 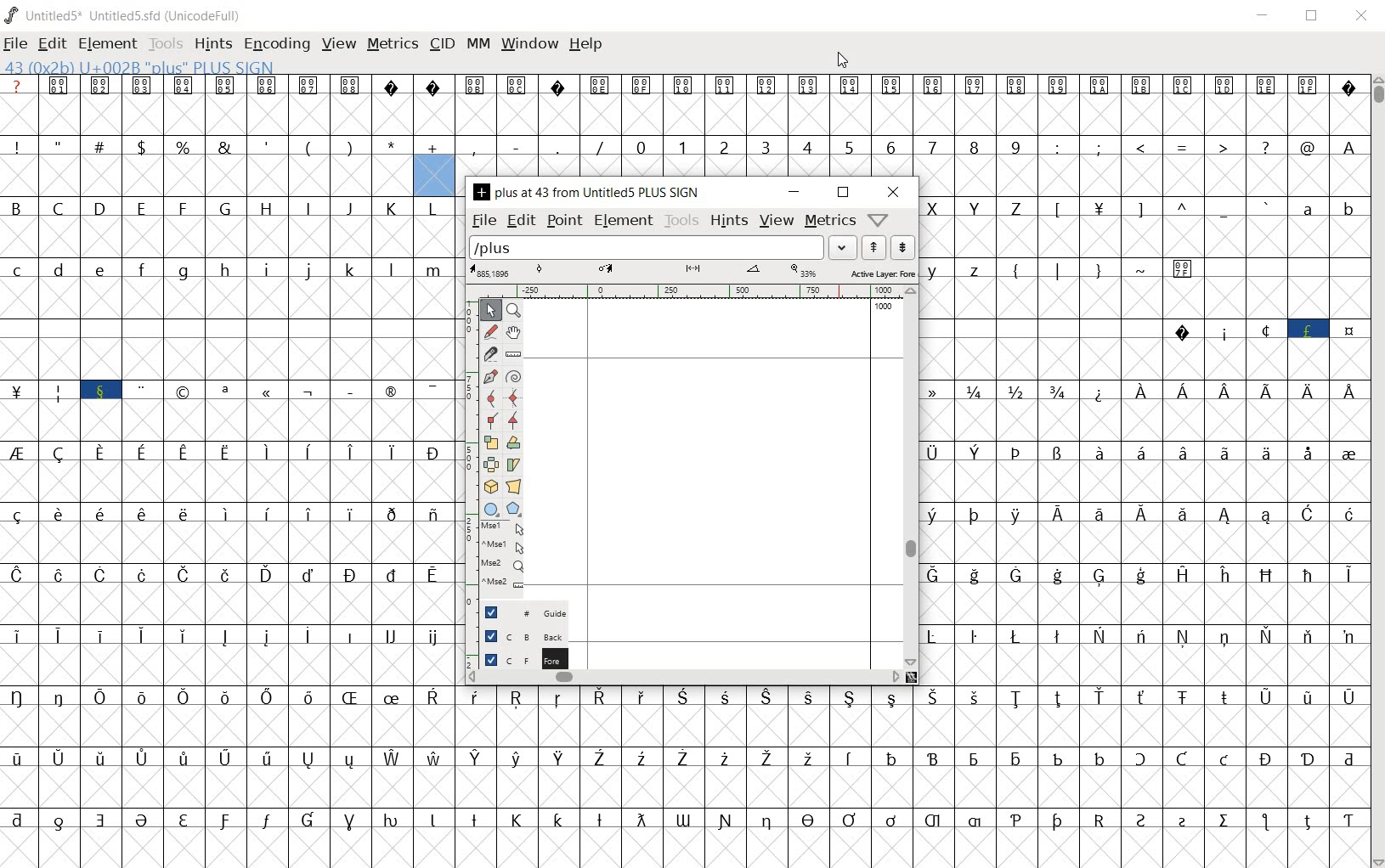 I want to click on slot, so click(x=229, y=350).